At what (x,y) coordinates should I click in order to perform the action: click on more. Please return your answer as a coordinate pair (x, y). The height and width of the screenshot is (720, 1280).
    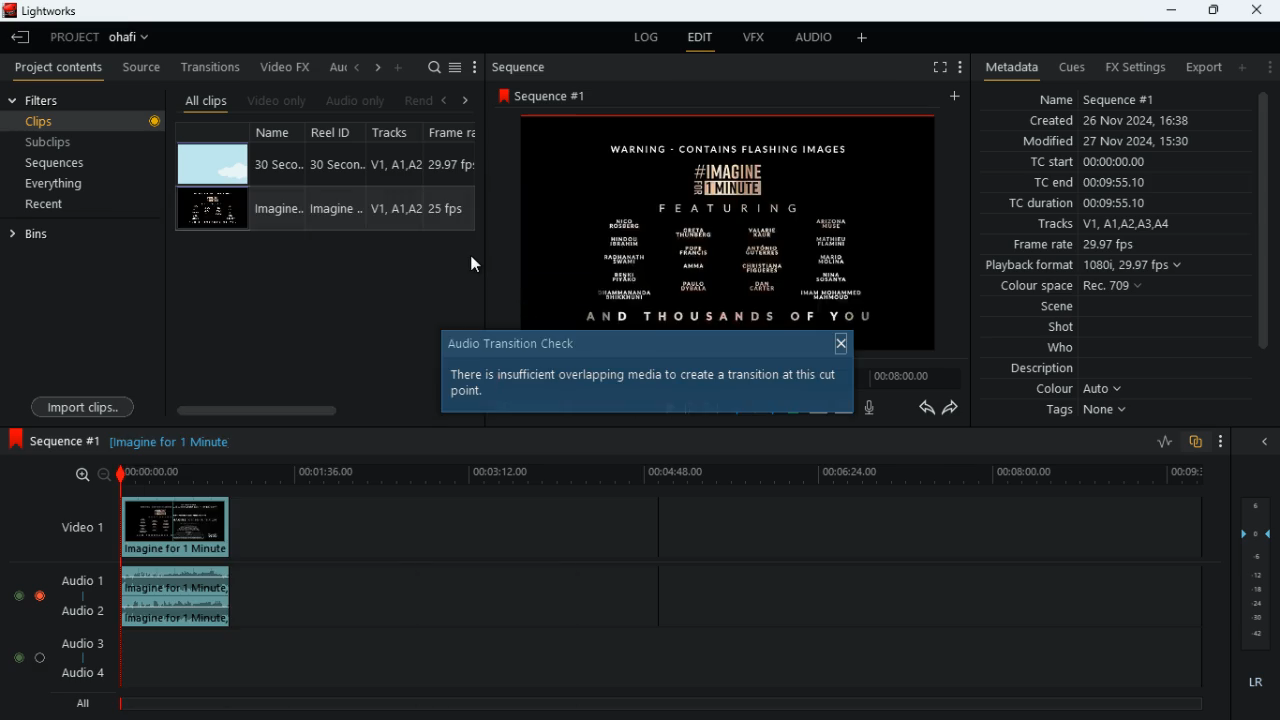
    Looking at the image, I should click on (1222, 443).